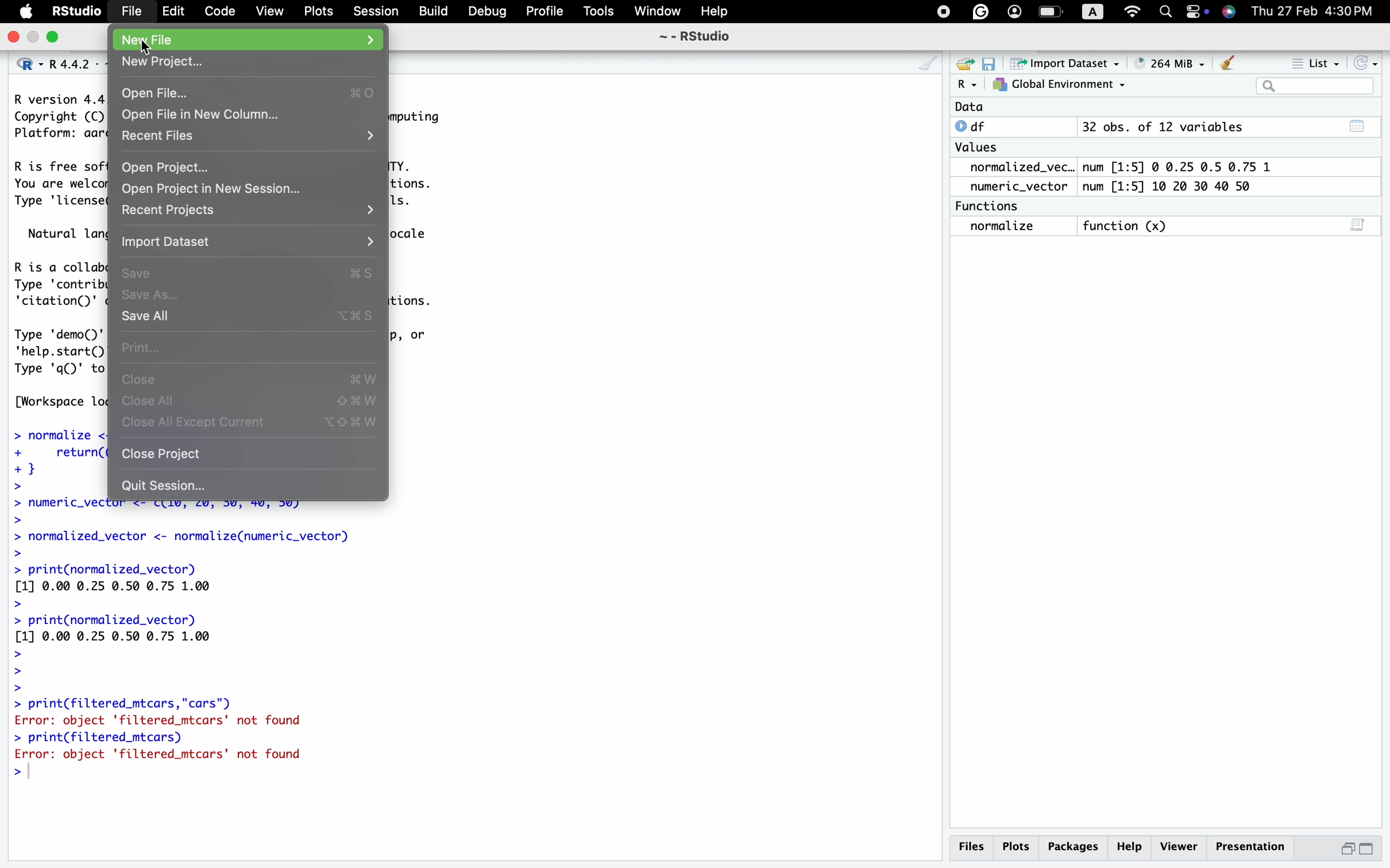 The width and height of the screenshot is (1390, 868). What do you see at coordinates (248, 188) in the screenshot?
I see `open project in new session` at bounding box center [248, 188].